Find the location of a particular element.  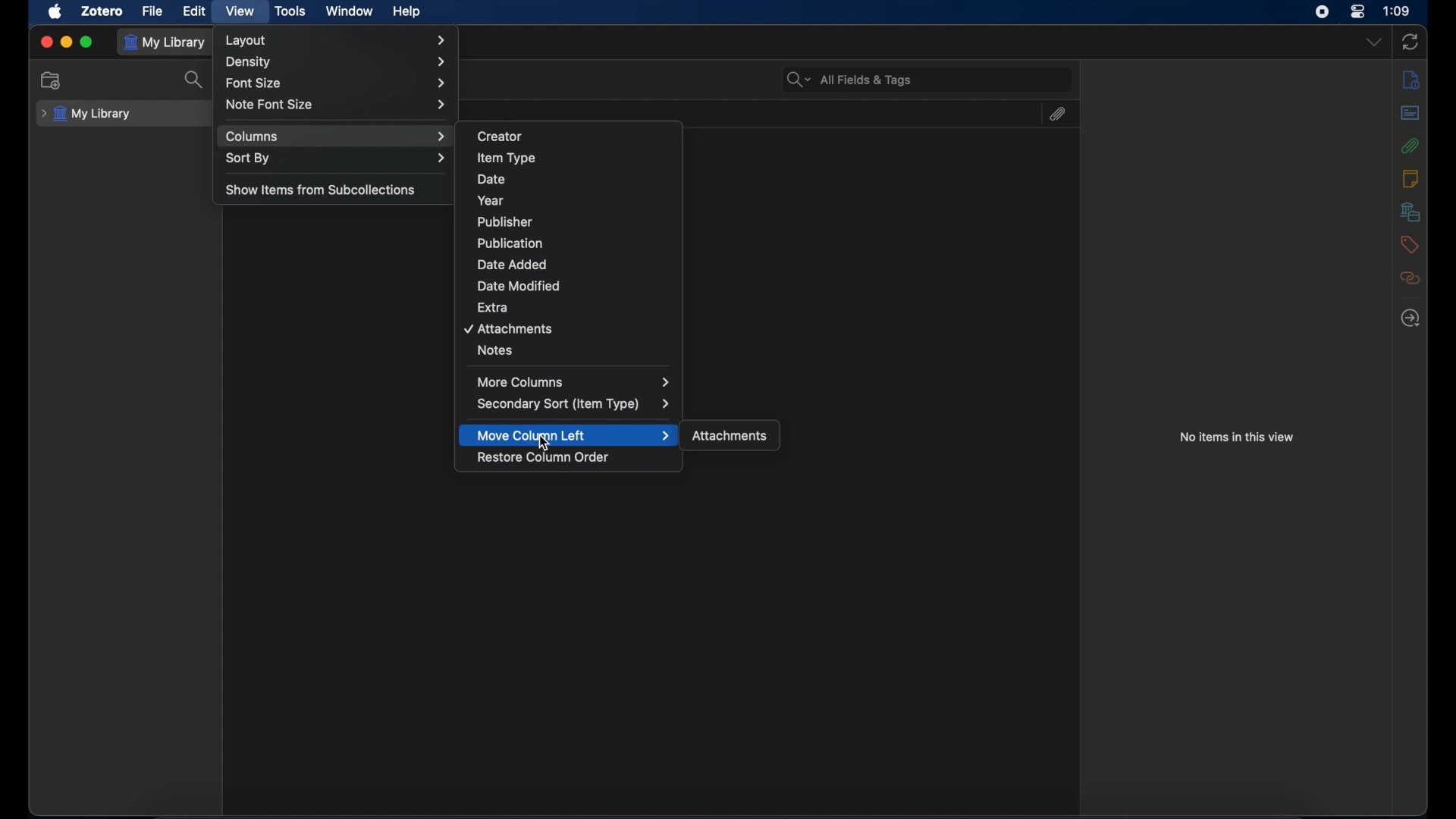

tools is located at coordinates (291, 11).